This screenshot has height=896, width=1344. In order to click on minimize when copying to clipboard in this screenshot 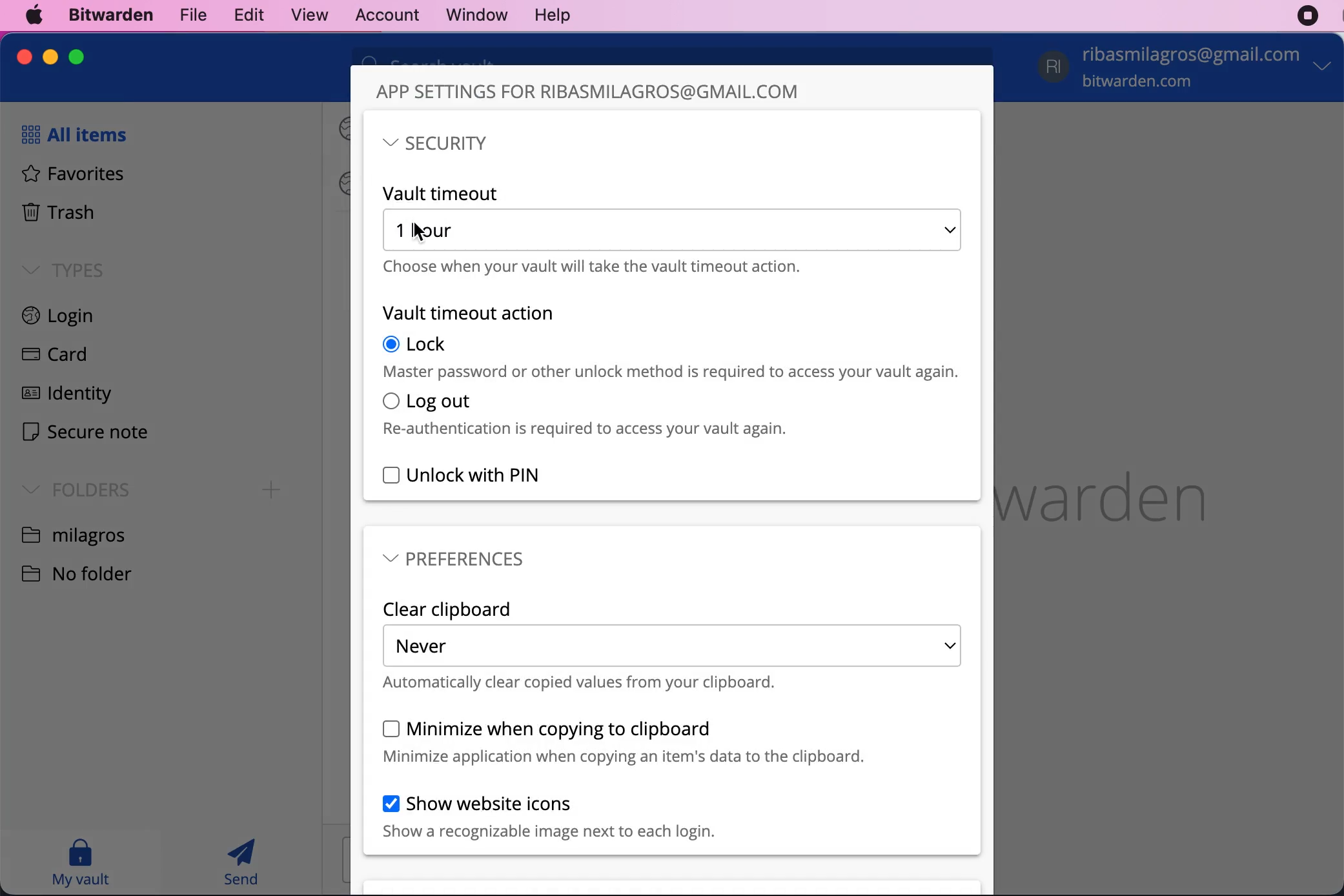, I will do `click(624, 742)`.